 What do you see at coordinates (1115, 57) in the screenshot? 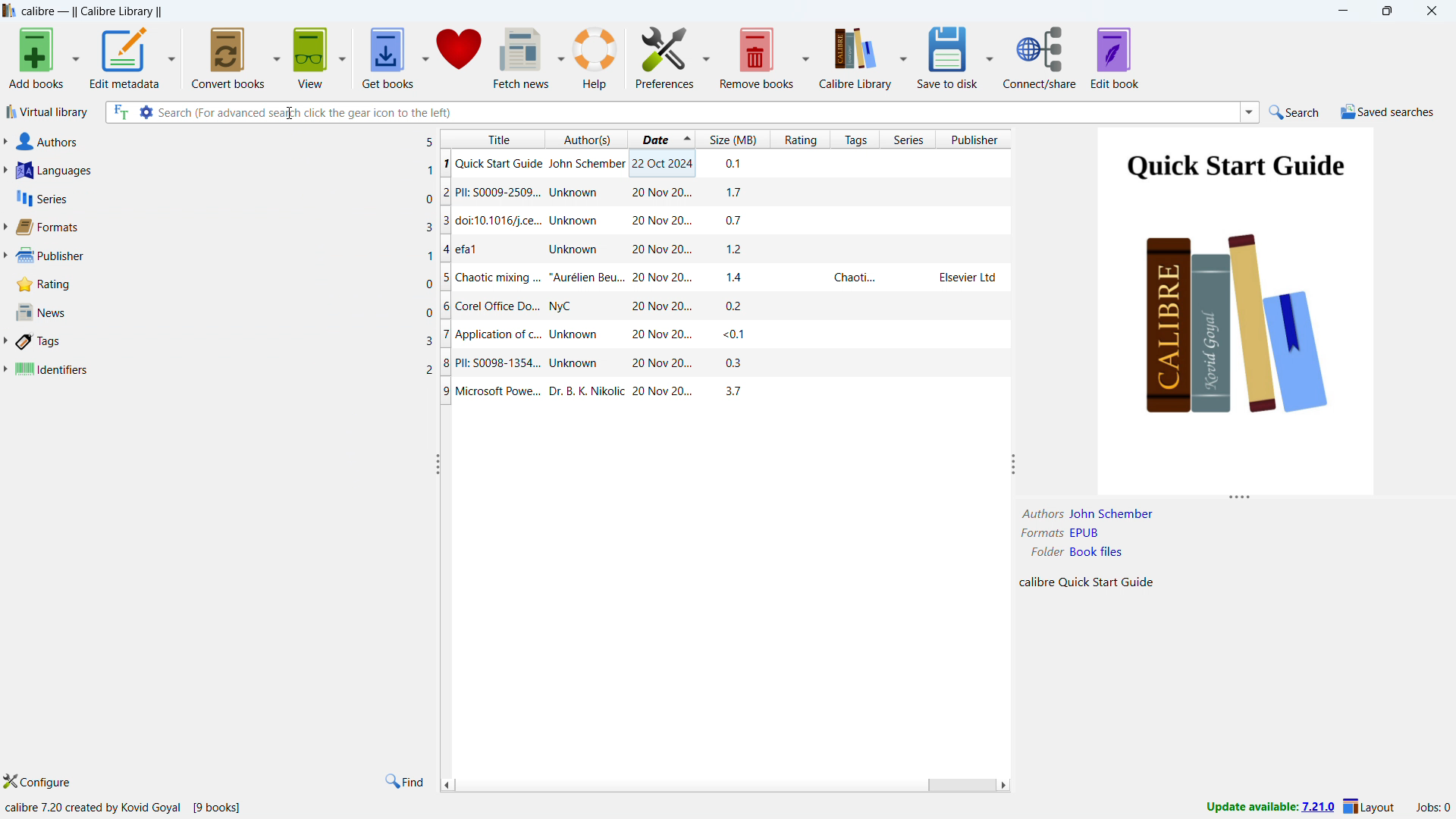
I see `edit book` at bounding box center [1115, 57].